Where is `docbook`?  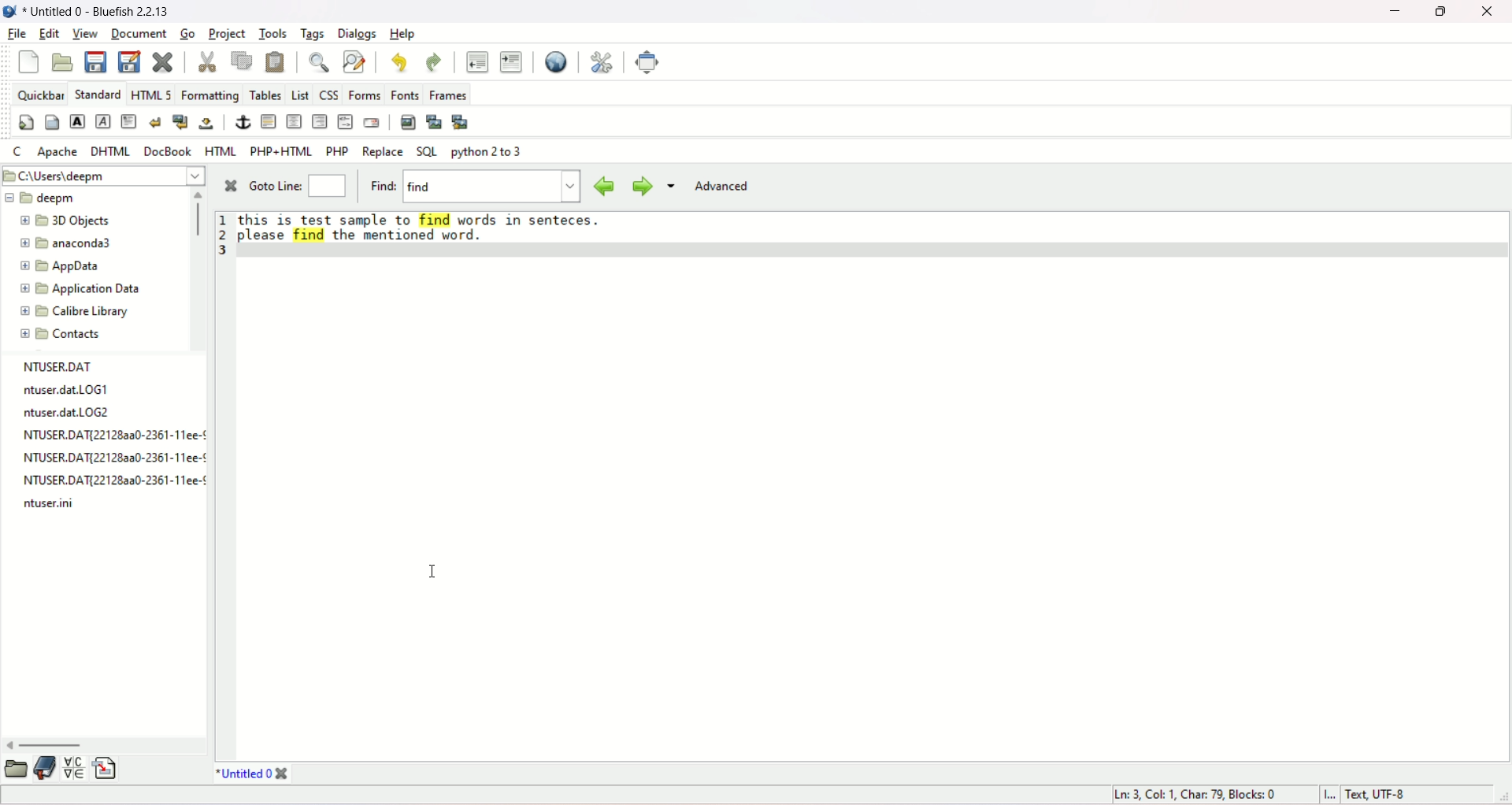 docbook is located at coordinates (169, 152).